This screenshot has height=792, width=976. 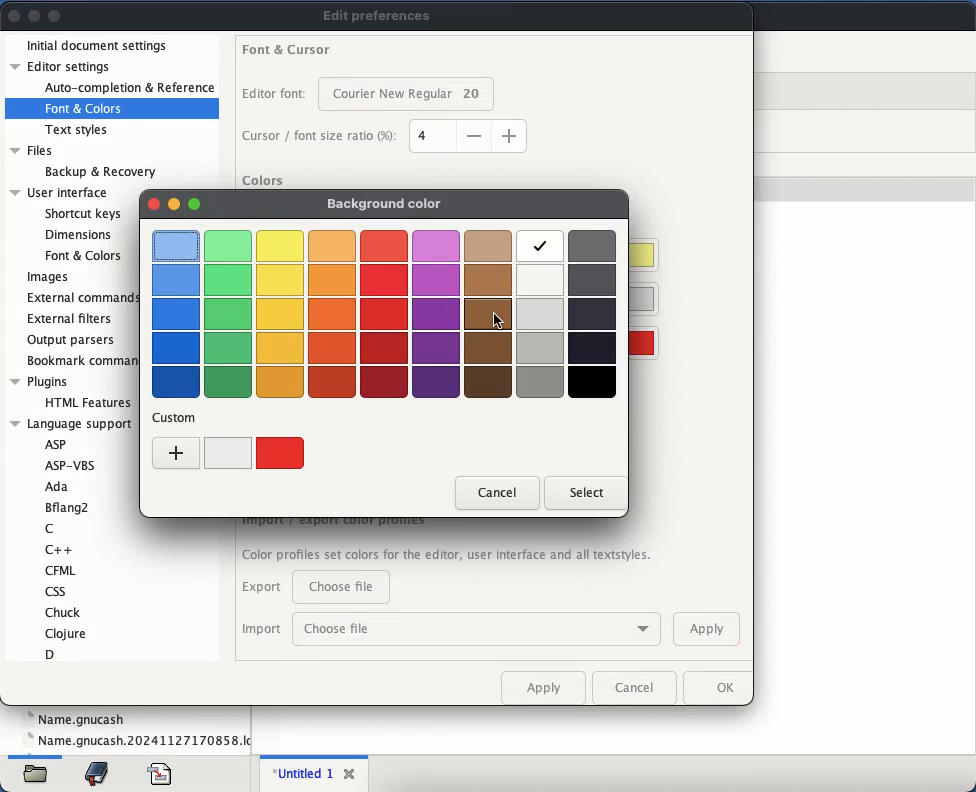 What do you see at coordinates (82, 257) in the screenshot?
I see `Font & Colors` at bounding box center [82, 257].